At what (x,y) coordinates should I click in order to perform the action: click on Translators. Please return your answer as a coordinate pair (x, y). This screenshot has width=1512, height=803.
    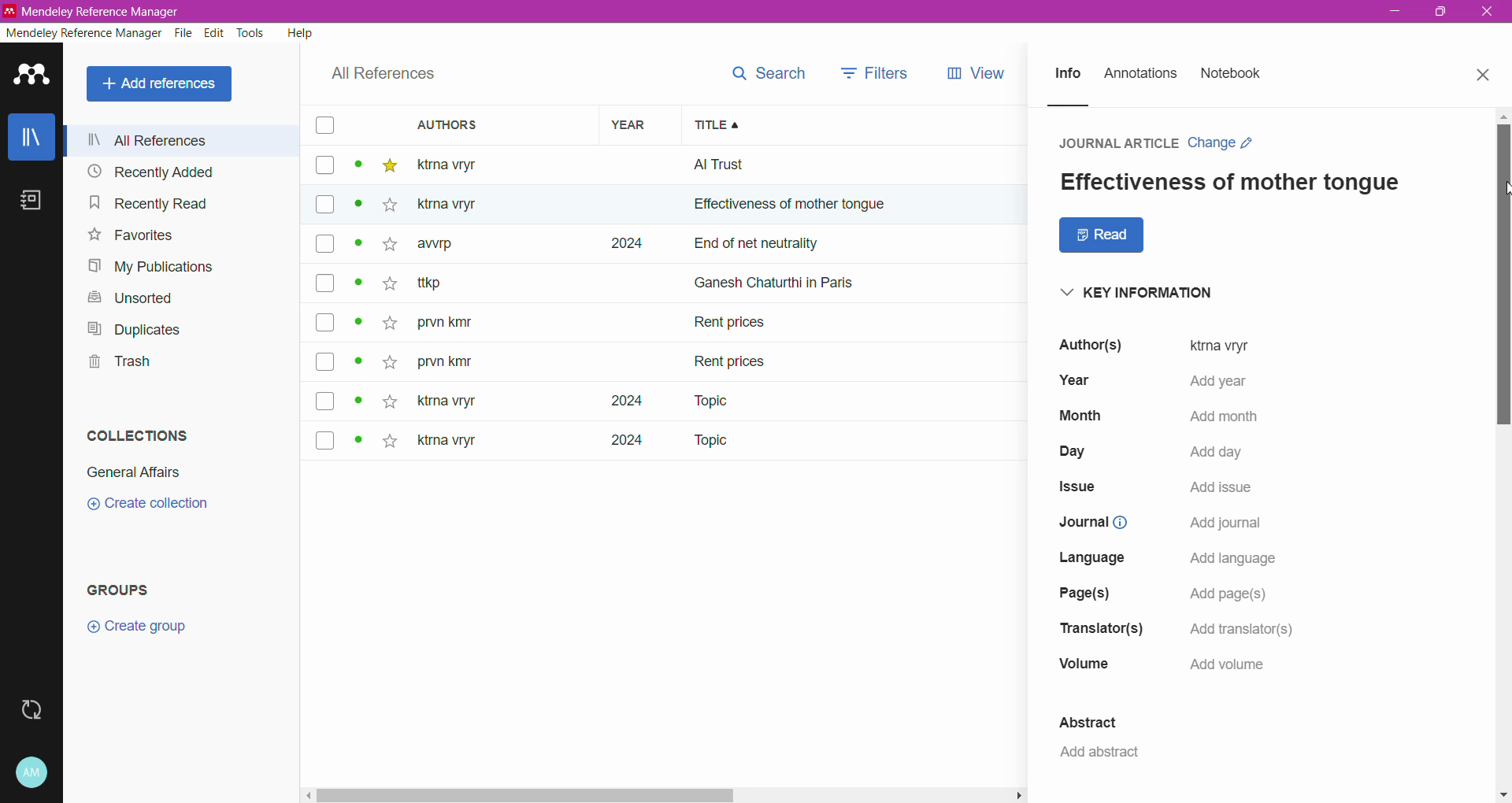
    Looking at the image, I should click on (1102, 629).